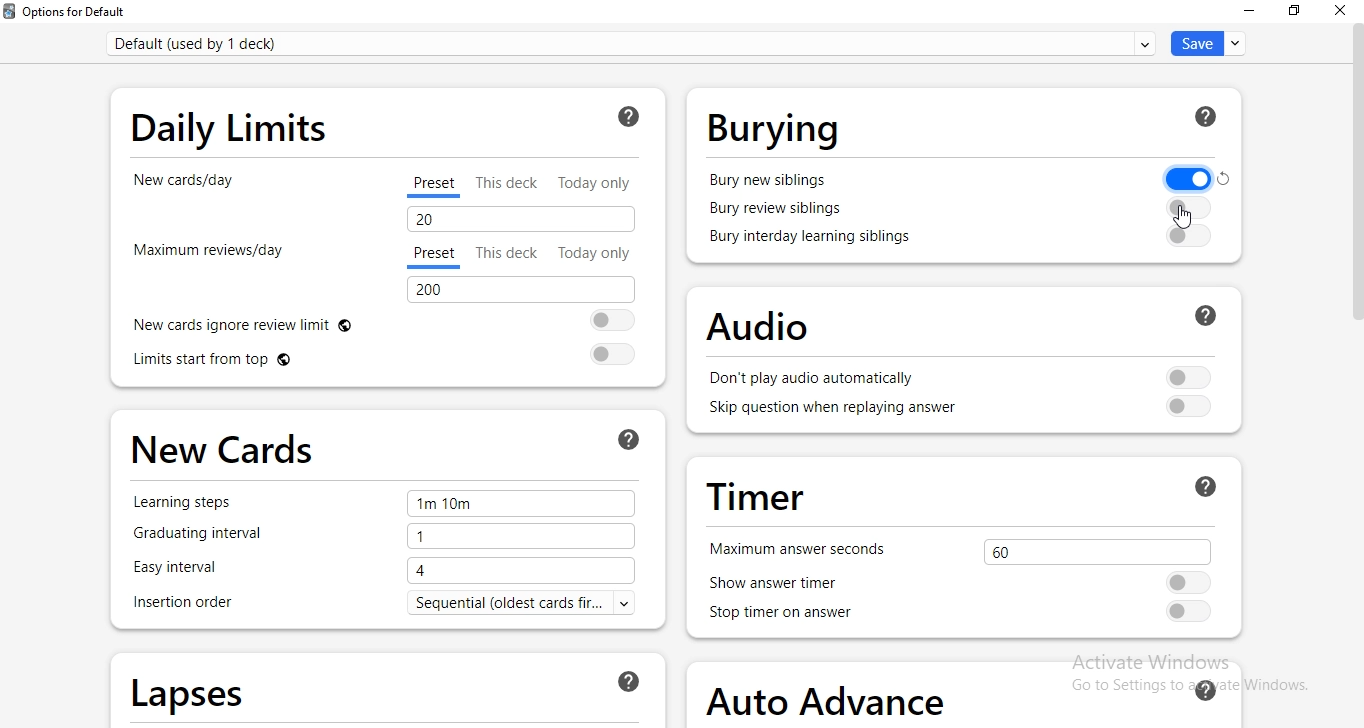 This screenshot has width=1364, height=728. I want to click on auto advance, so click(831, 694).